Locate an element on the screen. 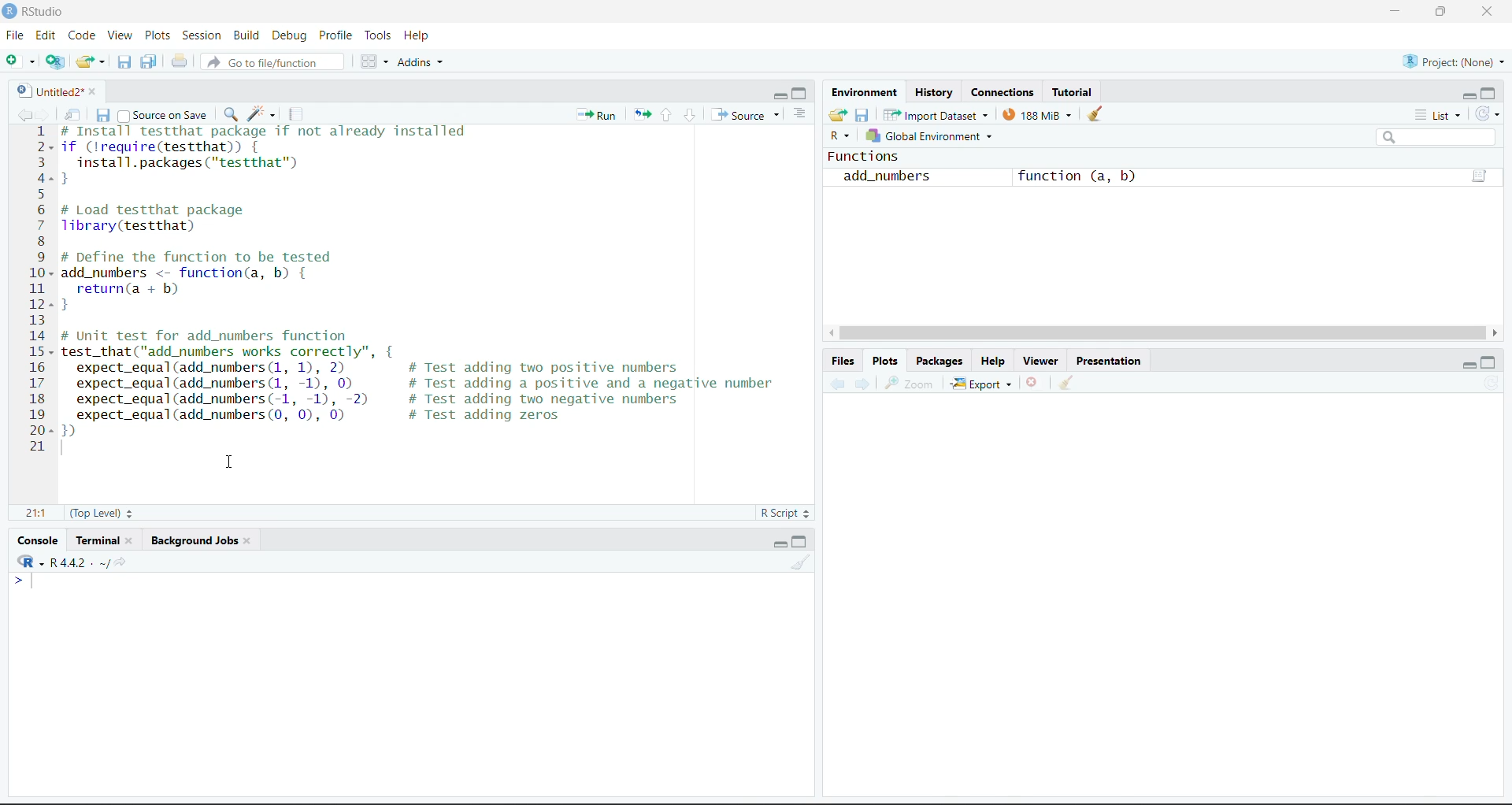  source is located at coordinates (738, 114).